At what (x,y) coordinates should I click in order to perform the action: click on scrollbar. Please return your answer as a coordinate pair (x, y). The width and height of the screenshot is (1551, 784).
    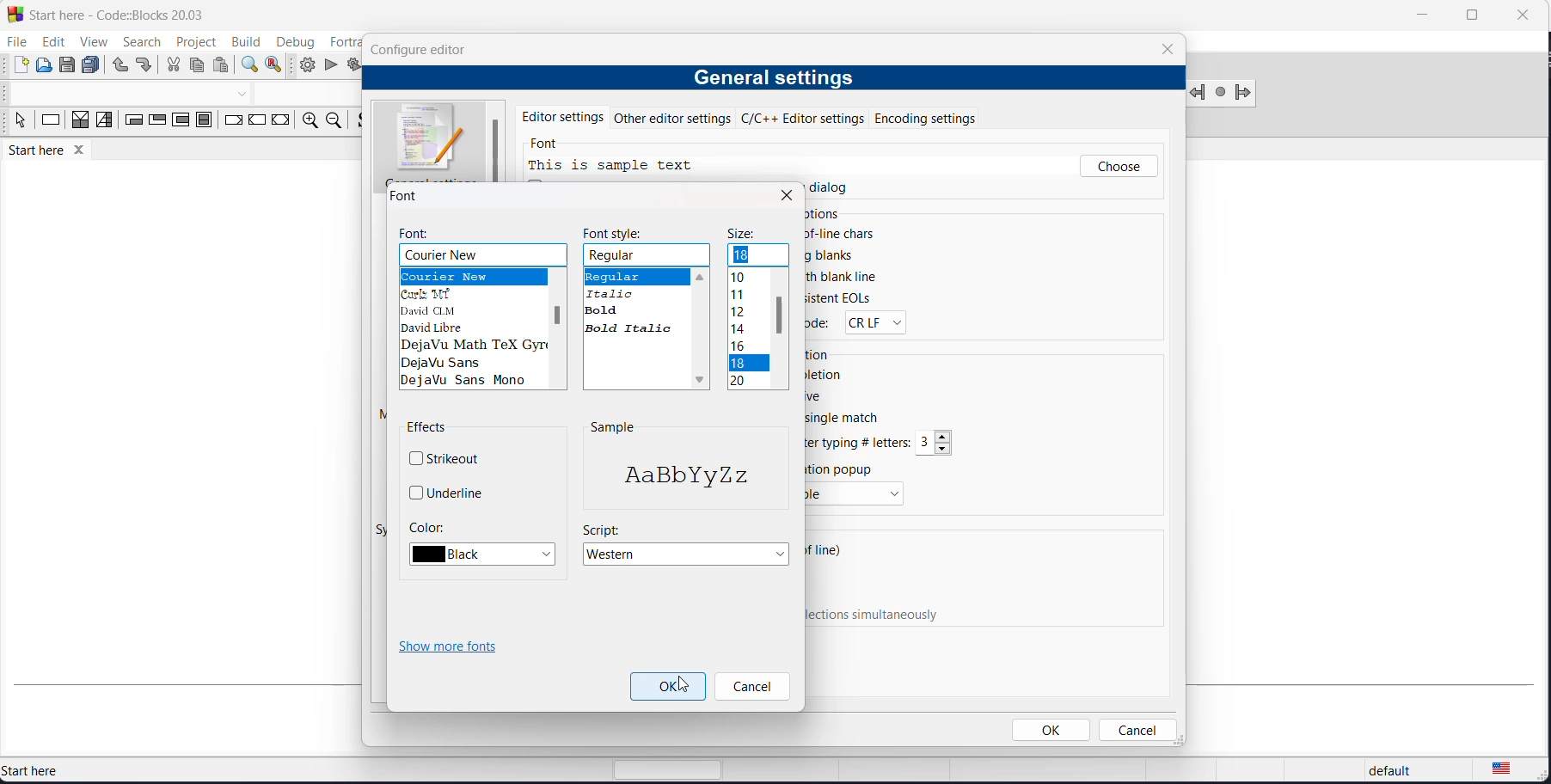
    Looking at the image, I should click on (556, 315).